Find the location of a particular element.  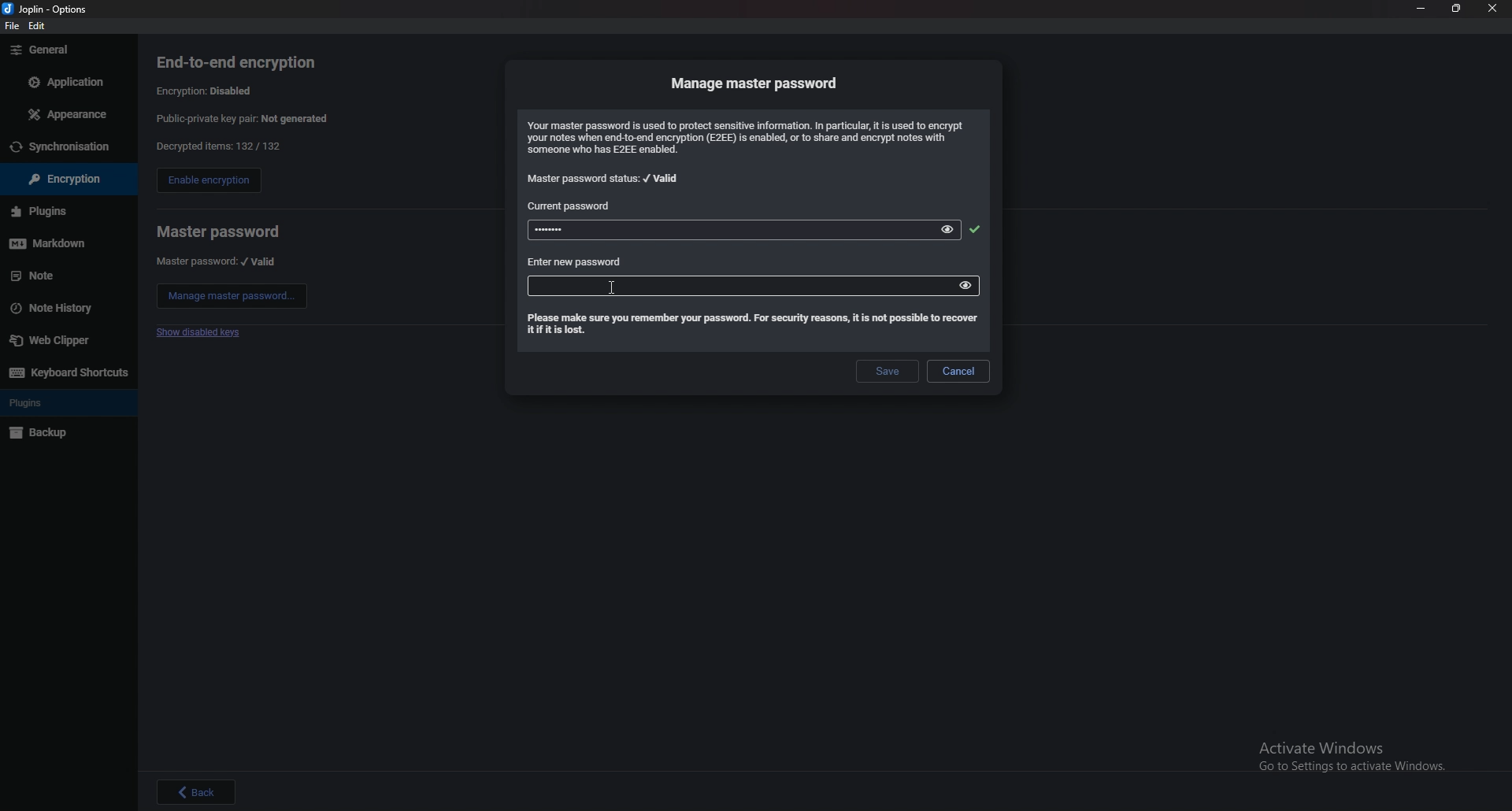

decrypted items is located at coordinates (217, 146).